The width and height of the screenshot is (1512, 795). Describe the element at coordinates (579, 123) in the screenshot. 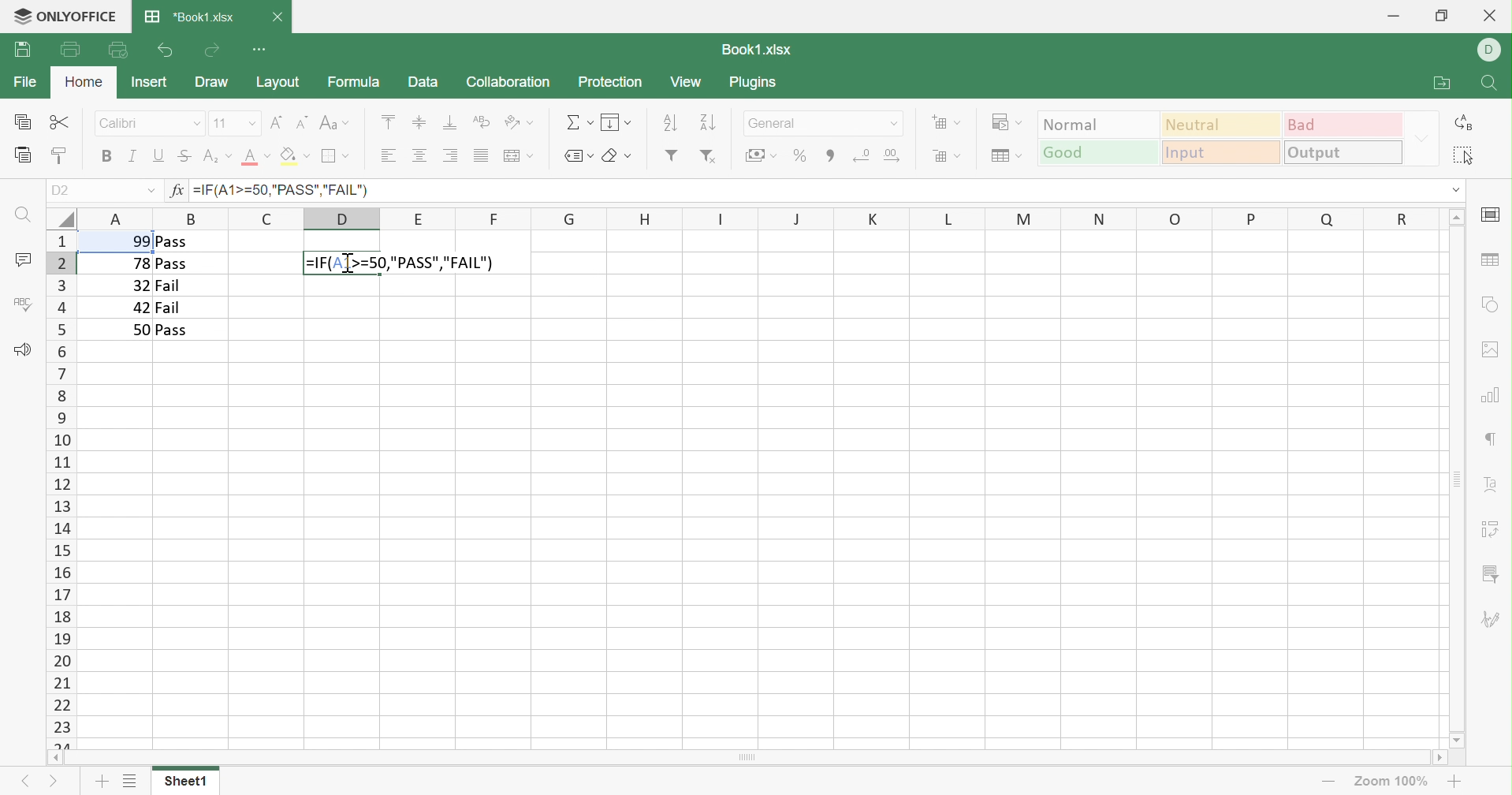

I see `Summation` at that location.